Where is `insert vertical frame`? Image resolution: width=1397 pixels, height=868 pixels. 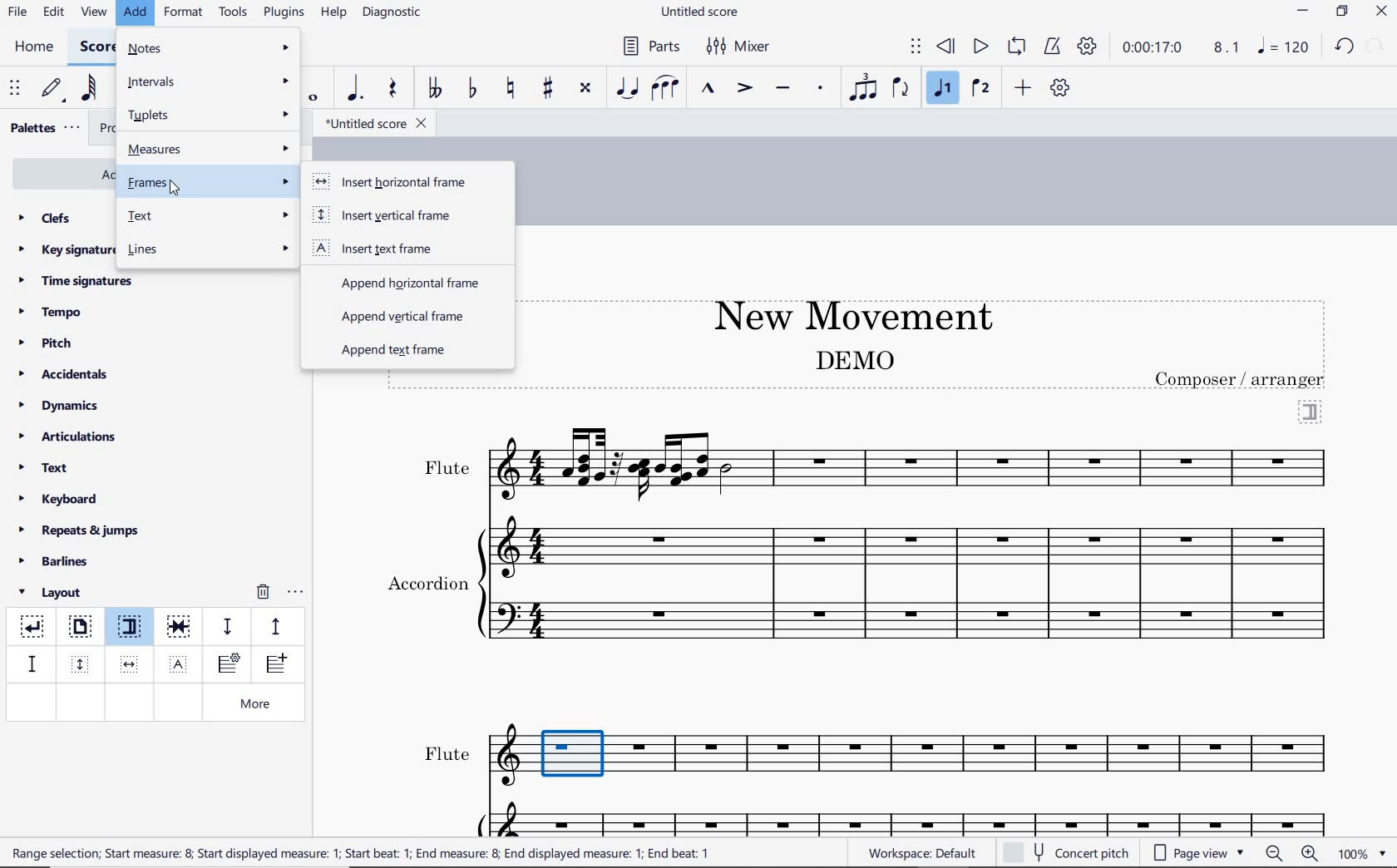
insert vertical frame is located at coordinates (397, 216).